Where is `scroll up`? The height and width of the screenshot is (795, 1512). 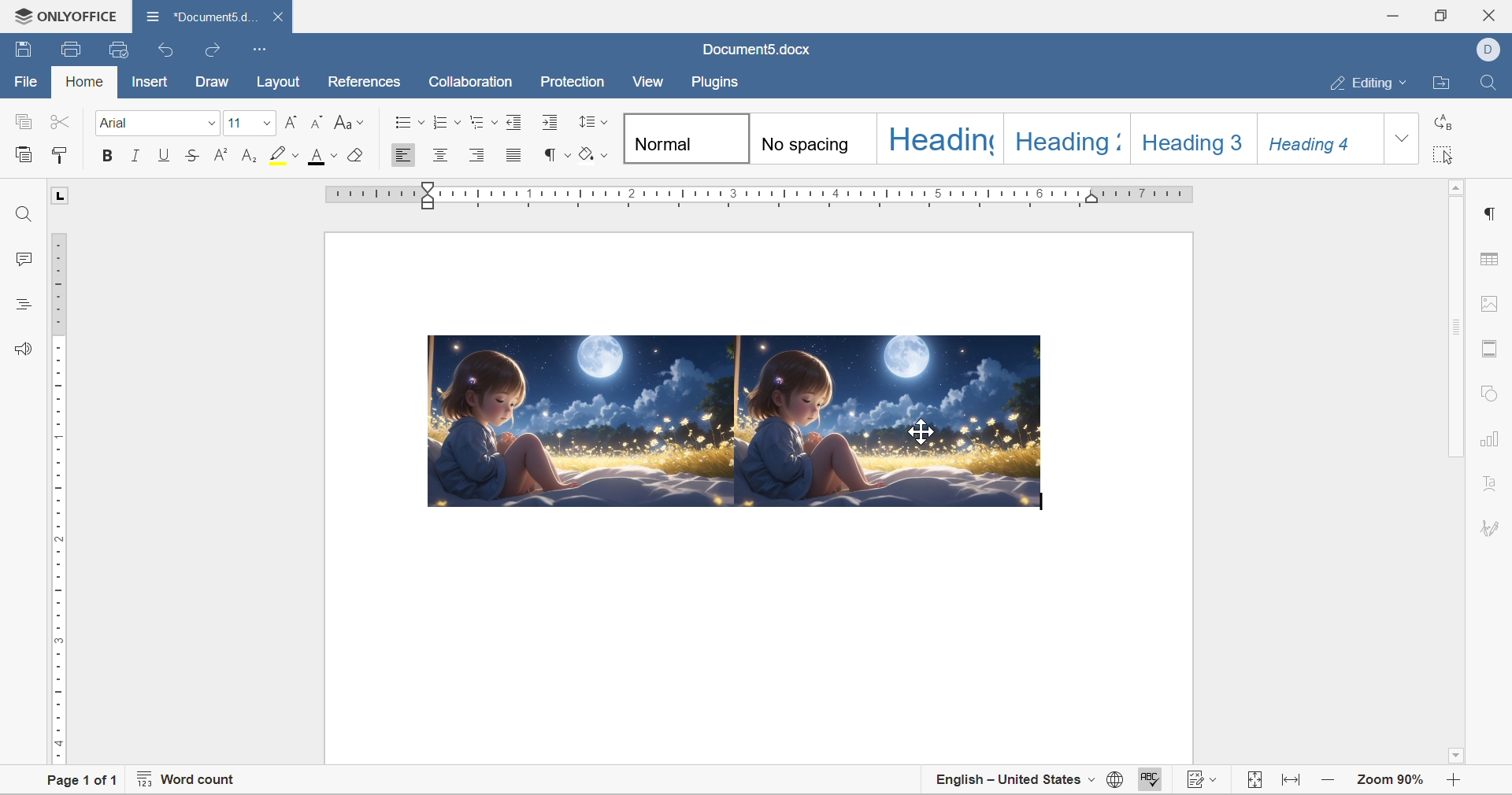
scroll up is located at coordinates (1459, 186).